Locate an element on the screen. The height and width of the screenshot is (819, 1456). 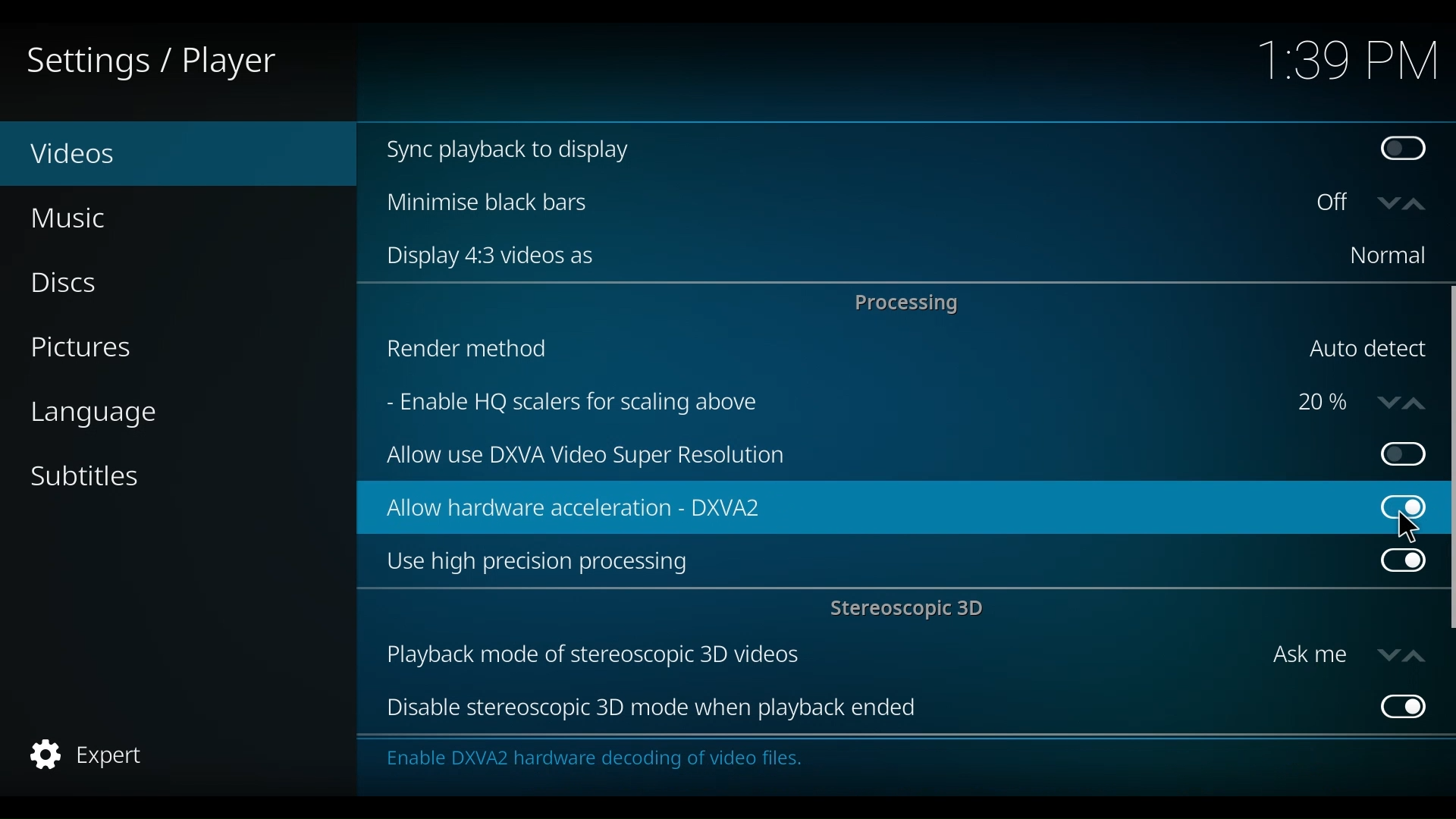
Vertical Scrollbar is located at coordinates (1447, 460).